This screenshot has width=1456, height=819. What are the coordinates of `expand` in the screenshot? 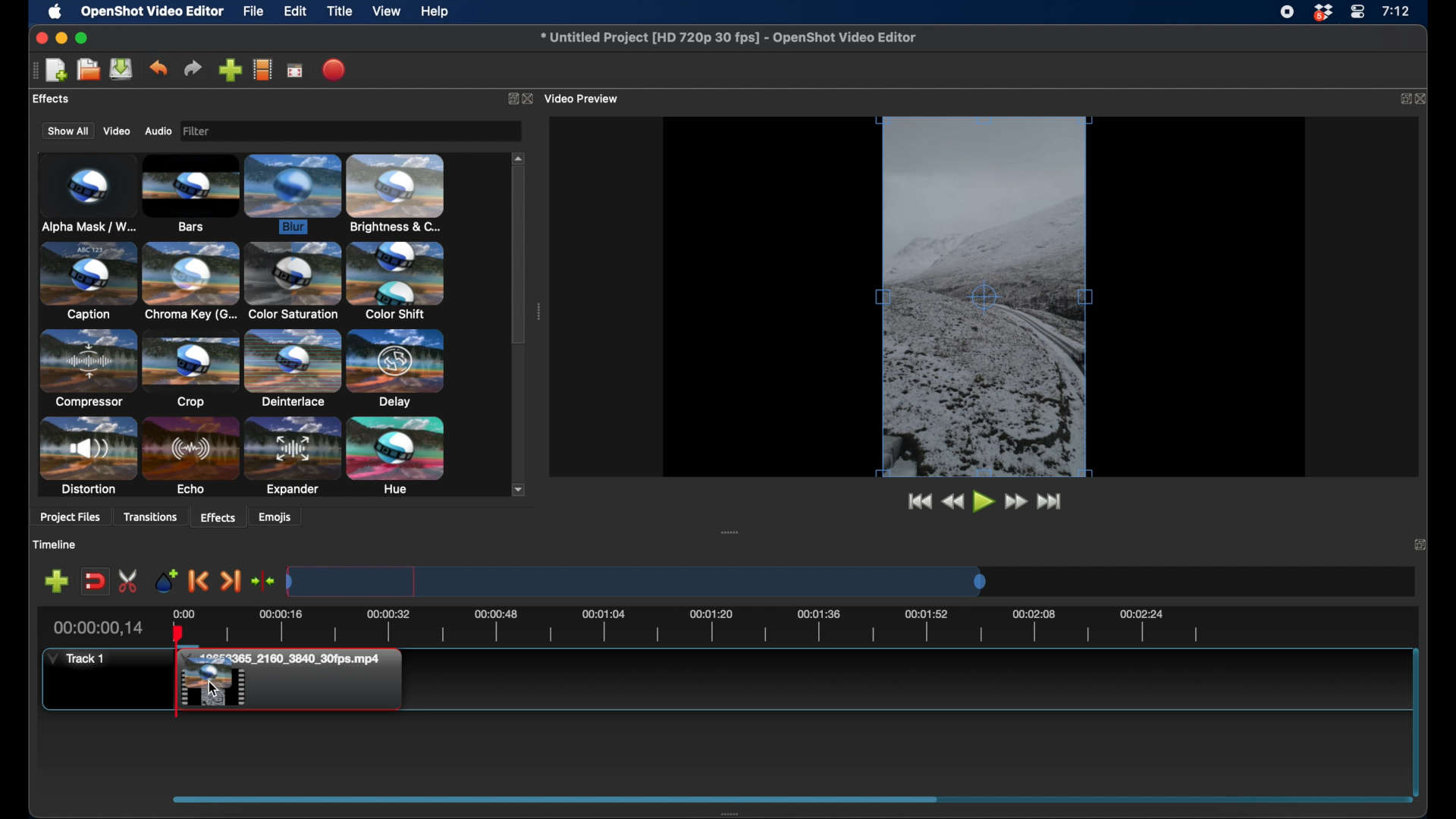 It's located at (1420, 544).